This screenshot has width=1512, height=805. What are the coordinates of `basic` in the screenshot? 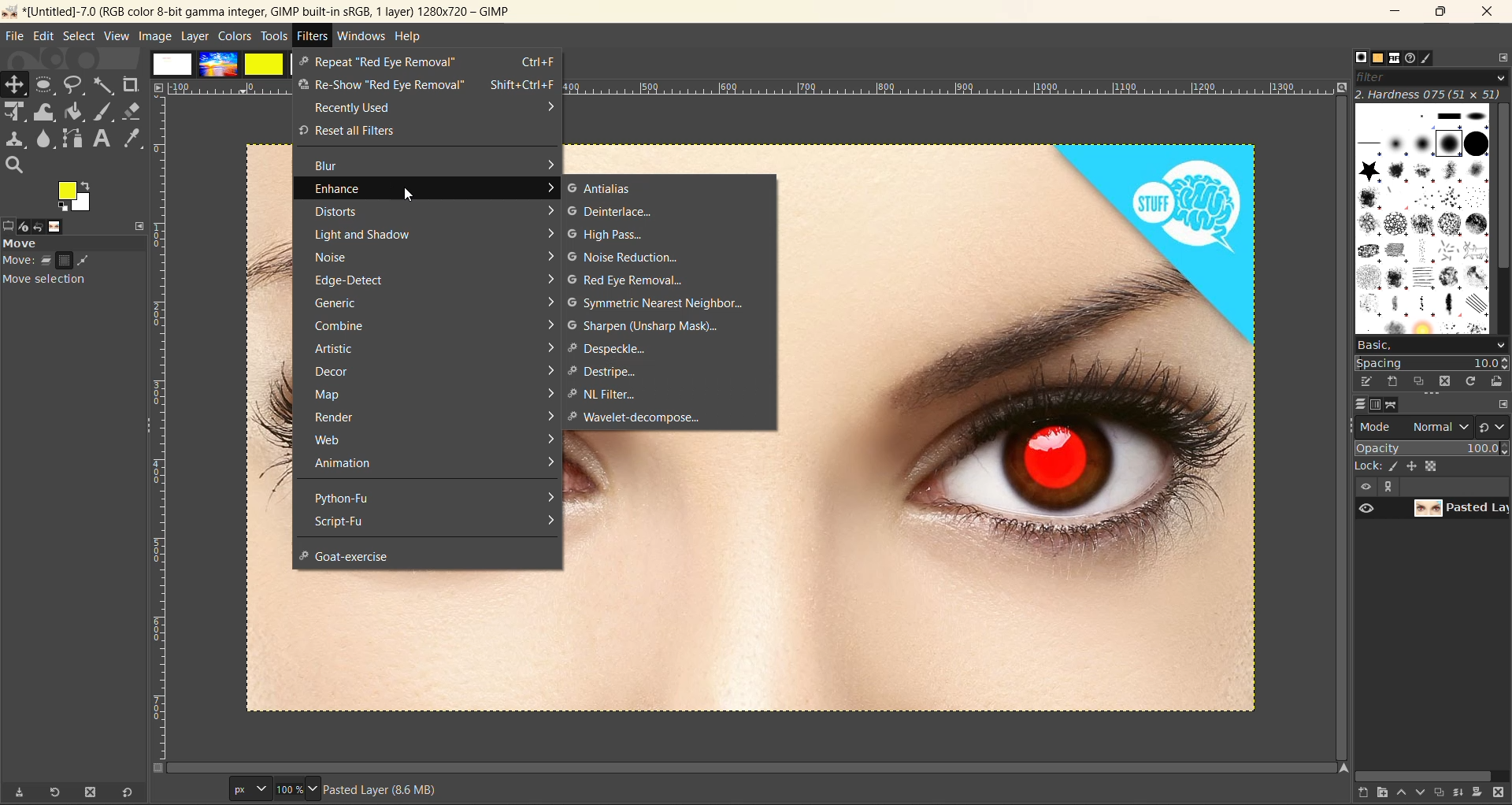 It's located at (1433, 347).